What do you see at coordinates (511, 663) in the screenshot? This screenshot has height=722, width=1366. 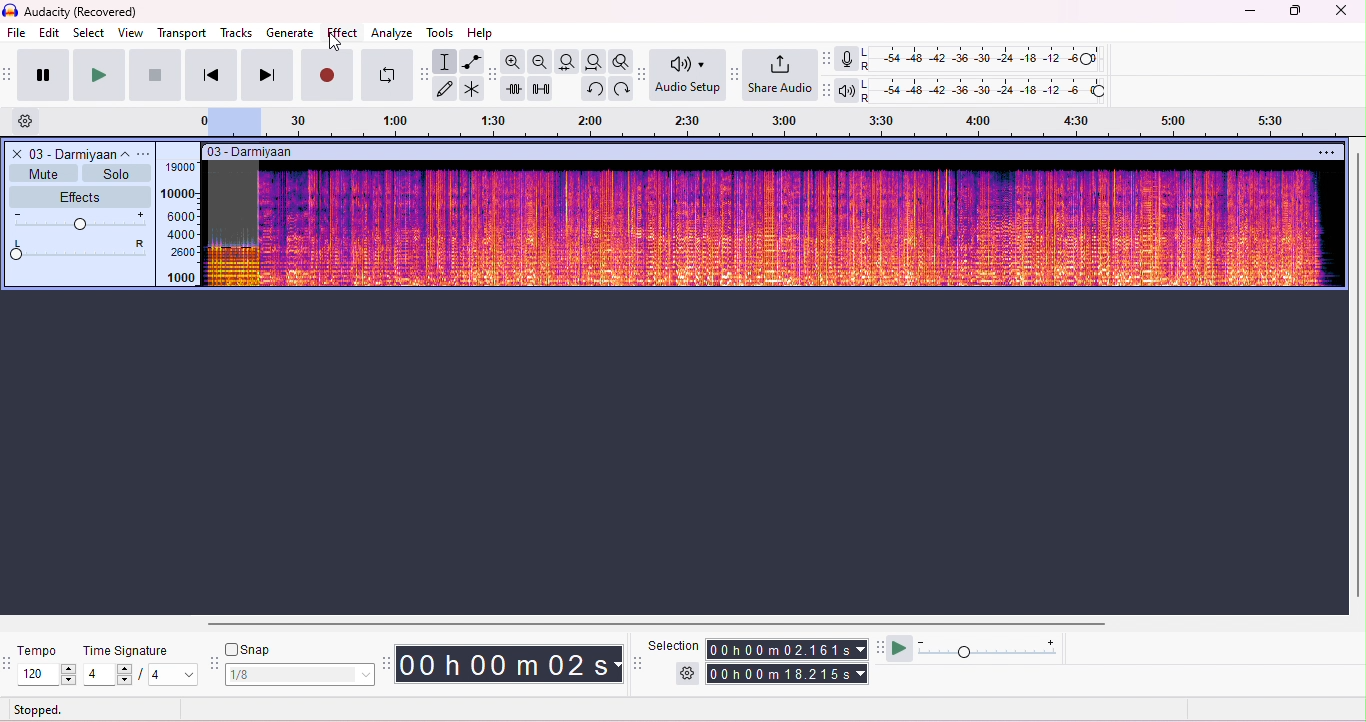 I see `audacity time` at bounding box center [511, 663].